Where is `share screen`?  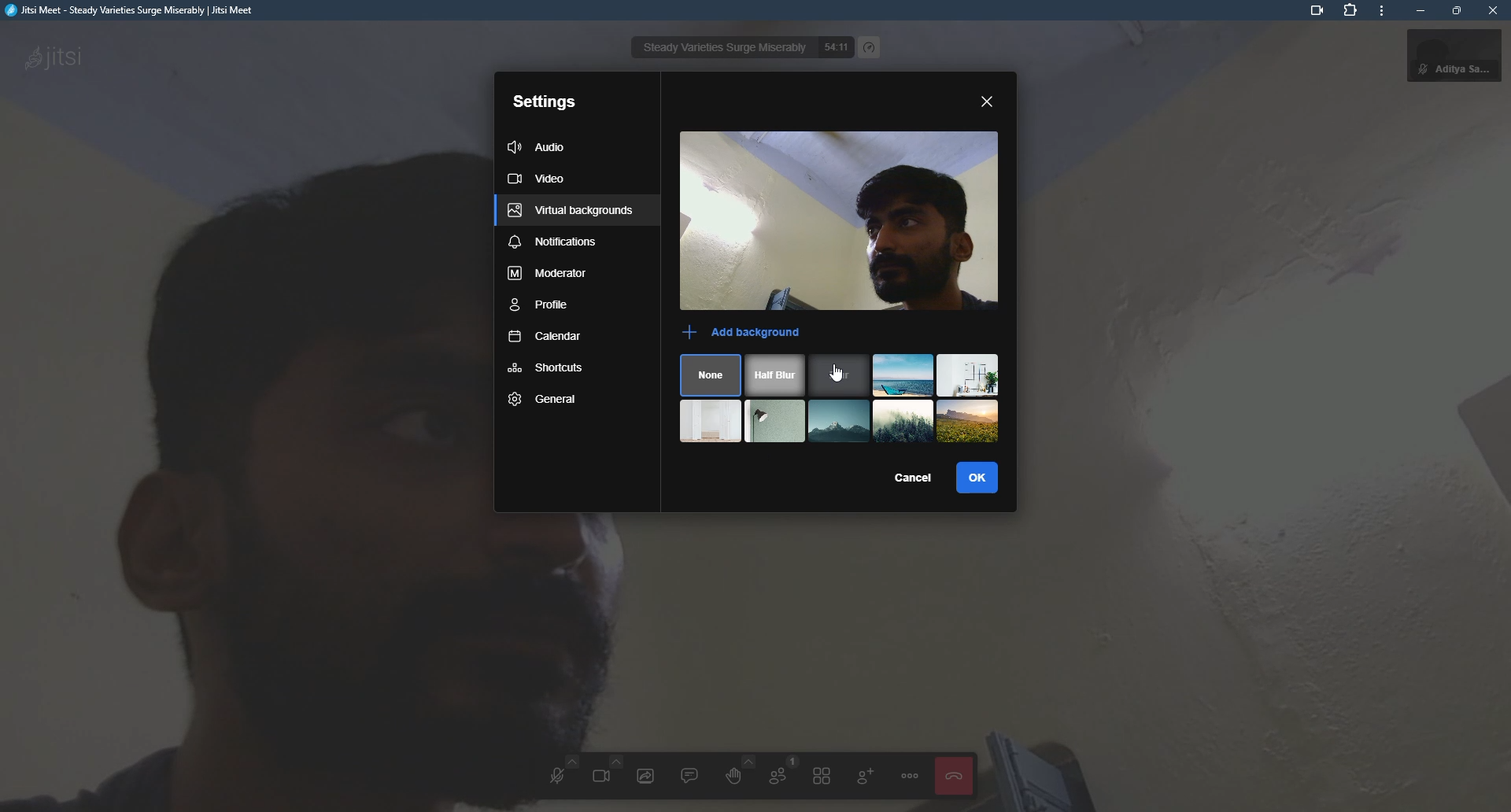 share screen is located at coordinates (645, 775).